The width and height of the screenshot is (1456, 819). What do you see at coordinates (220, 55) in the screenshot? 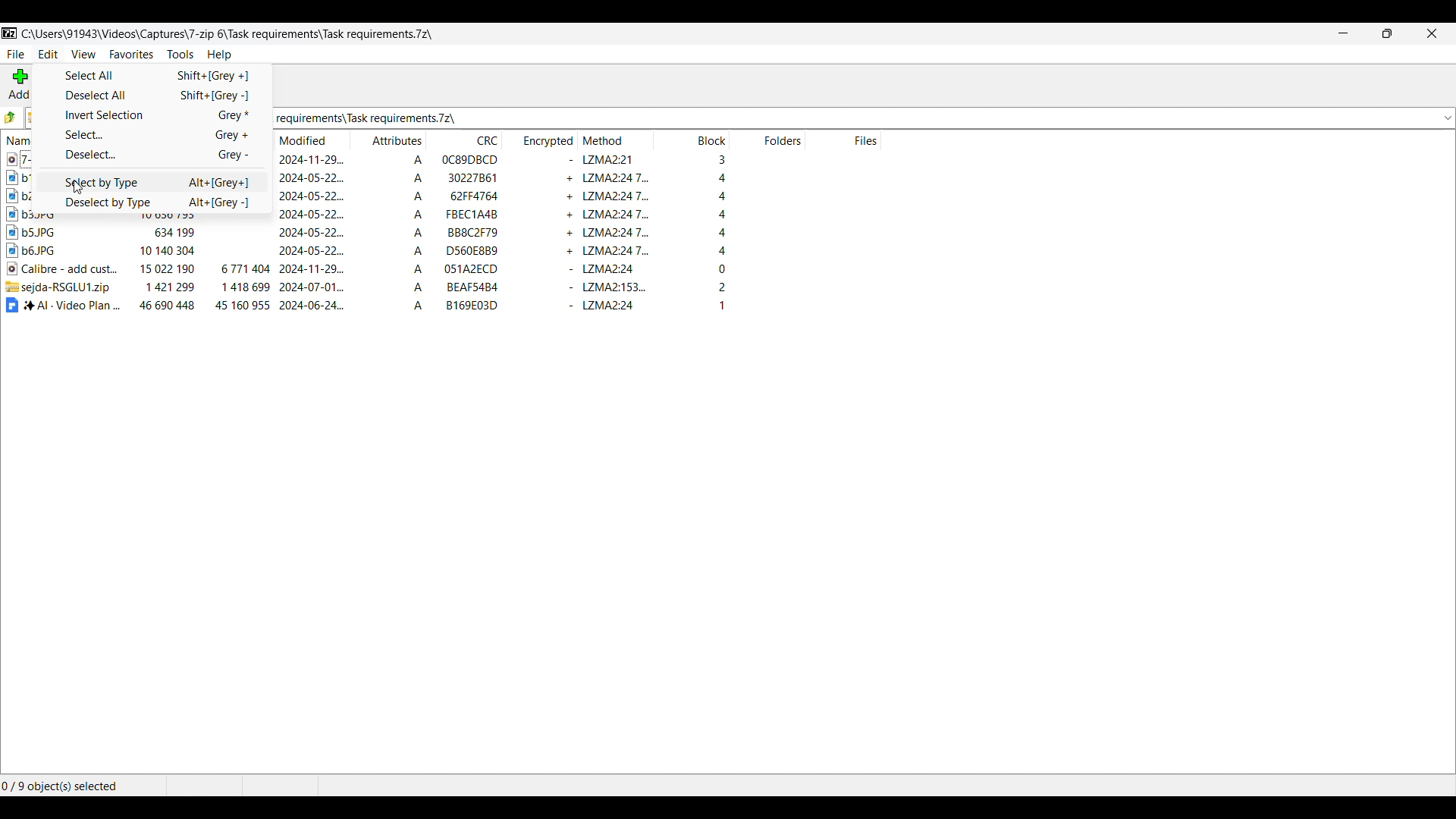
I see `Help menu` at bounding box center [220, 55].